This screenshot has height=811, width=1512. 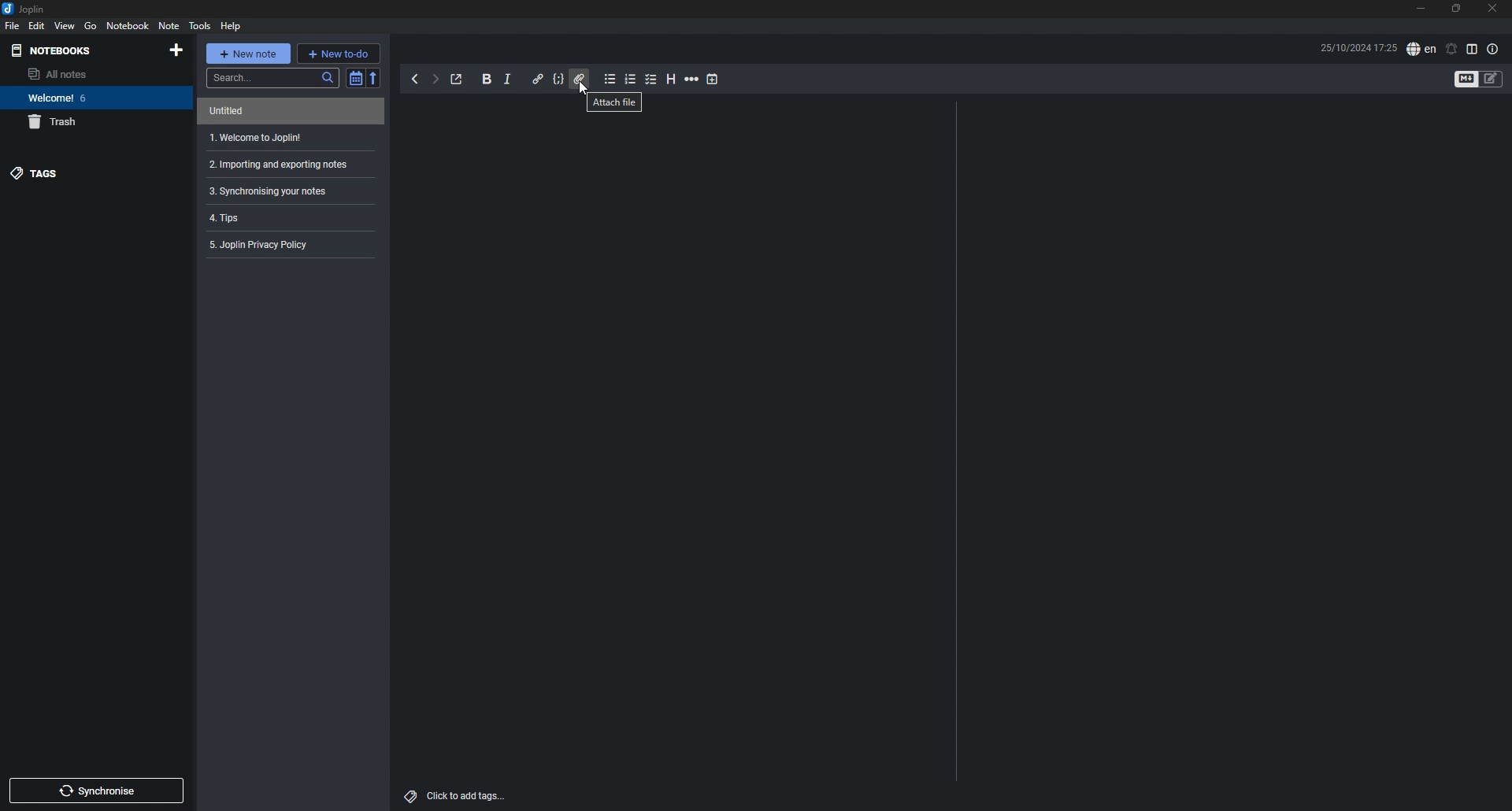 I want to click on reverse sort order, so click(x=375, y=78).